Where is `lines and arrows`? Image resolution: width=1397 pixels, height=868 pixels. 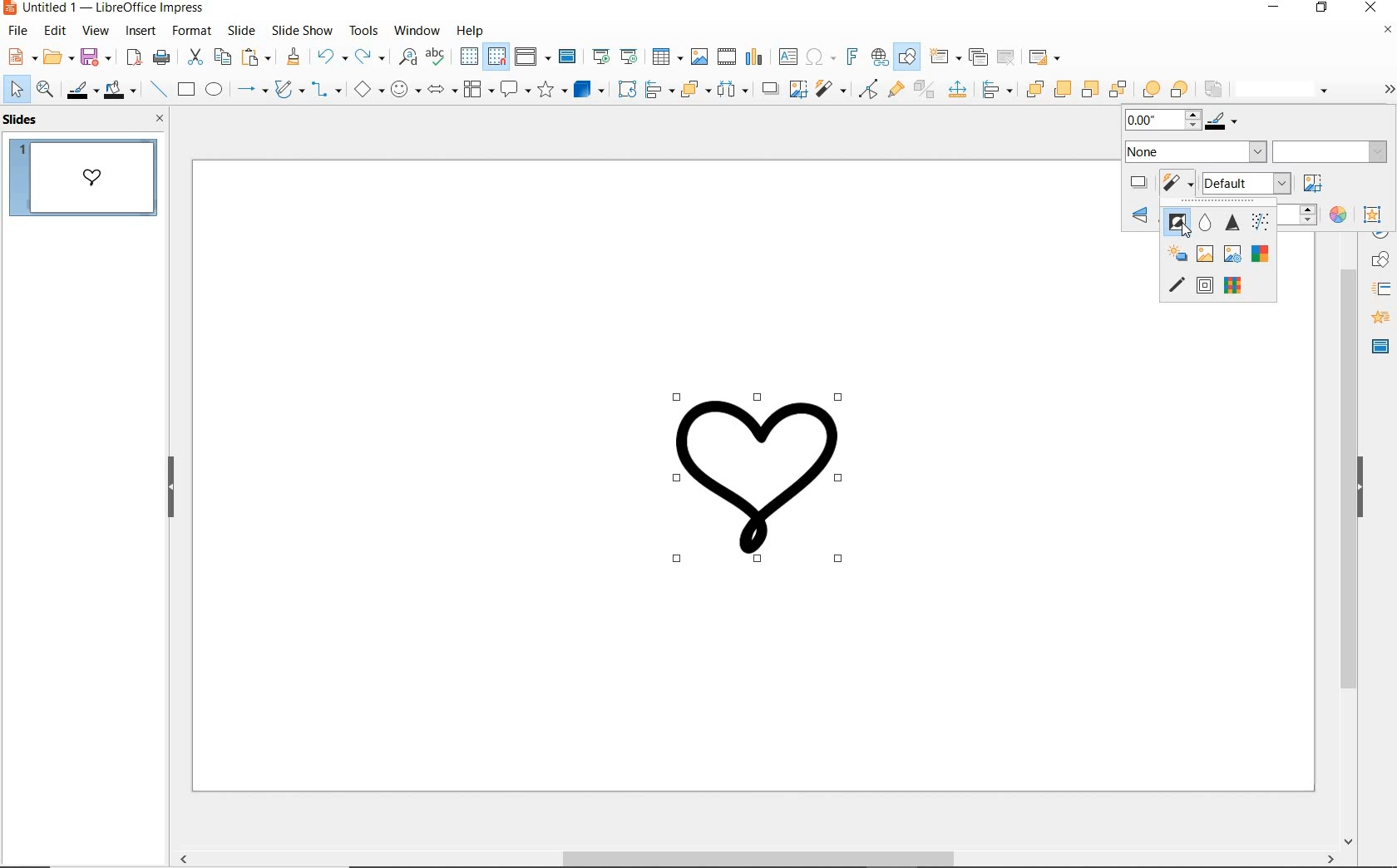 lines and arrows is located at coordinates (253, 90).